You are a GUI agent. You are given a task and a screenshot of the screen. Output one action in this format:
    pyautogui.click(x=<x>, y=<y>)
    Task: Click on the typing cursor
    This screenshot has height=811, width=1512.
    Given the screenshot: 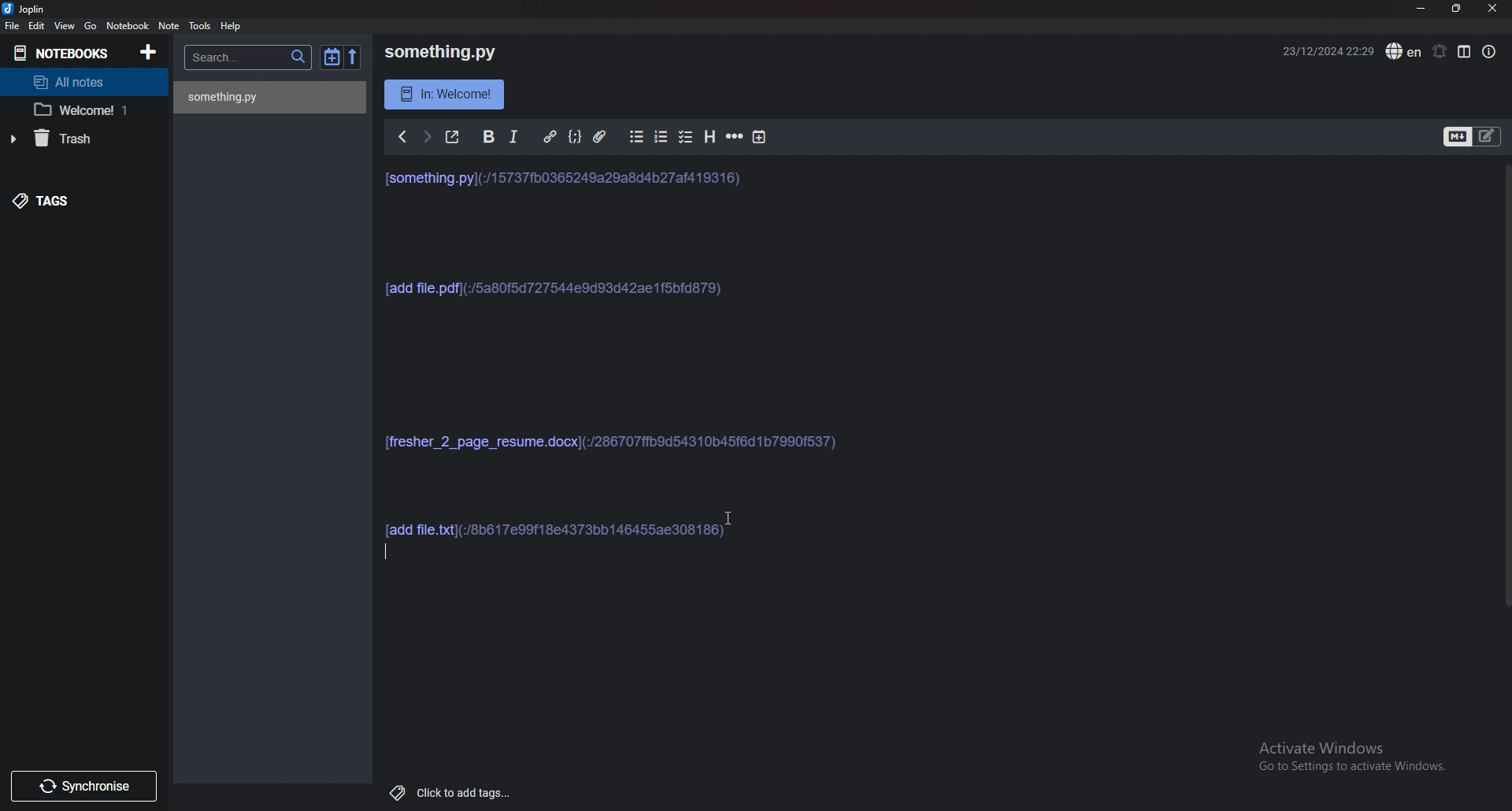 What is the action you would take?
    pyautogui.click(x=391, y=553)
    